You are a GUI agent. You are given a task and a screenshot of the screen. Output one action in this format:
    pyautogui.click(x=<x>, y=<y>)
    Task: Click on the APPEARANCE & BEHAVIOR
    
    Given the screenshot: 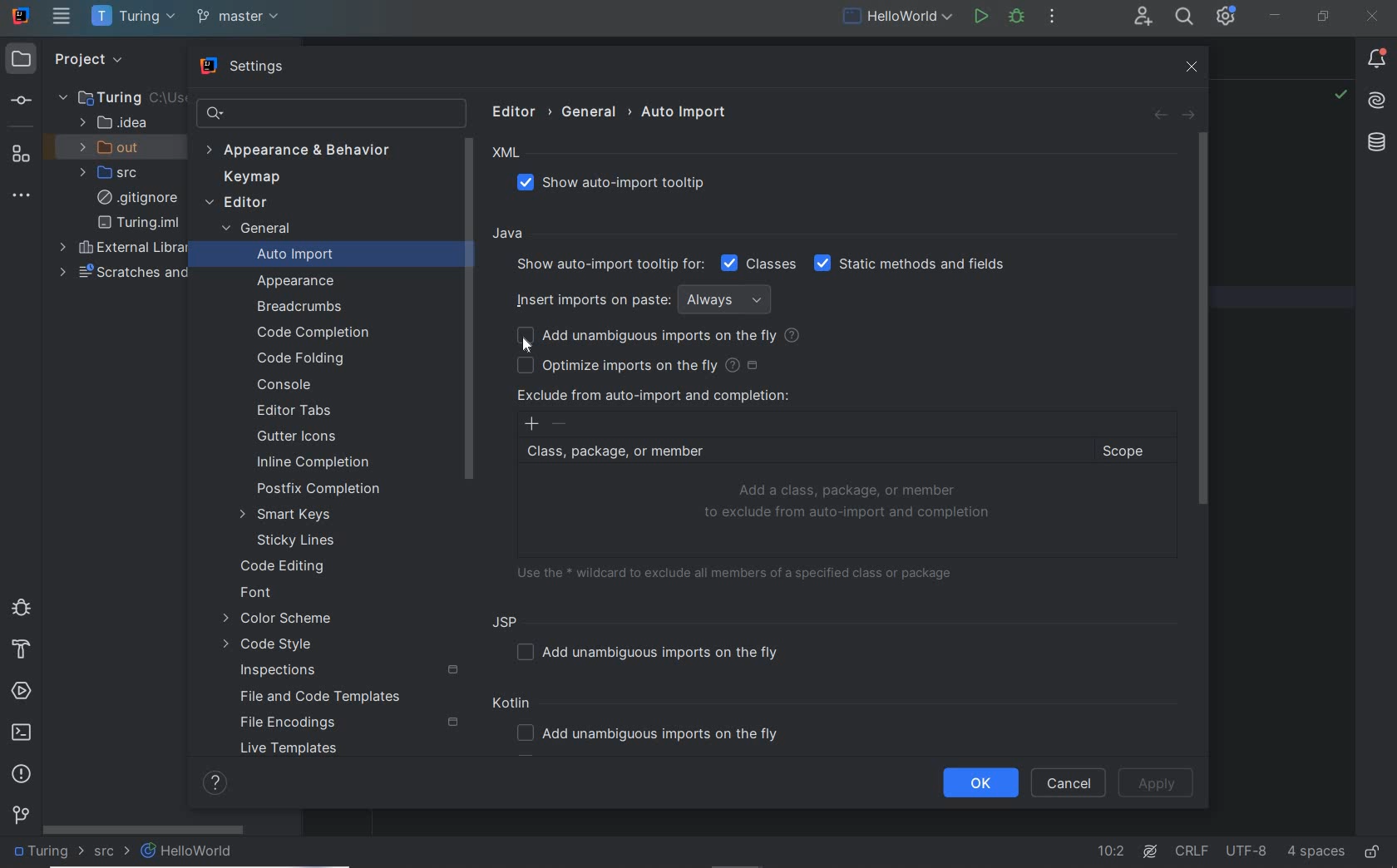 What is the action you would take?
    pyautogui.click(x=306, y=151)
    